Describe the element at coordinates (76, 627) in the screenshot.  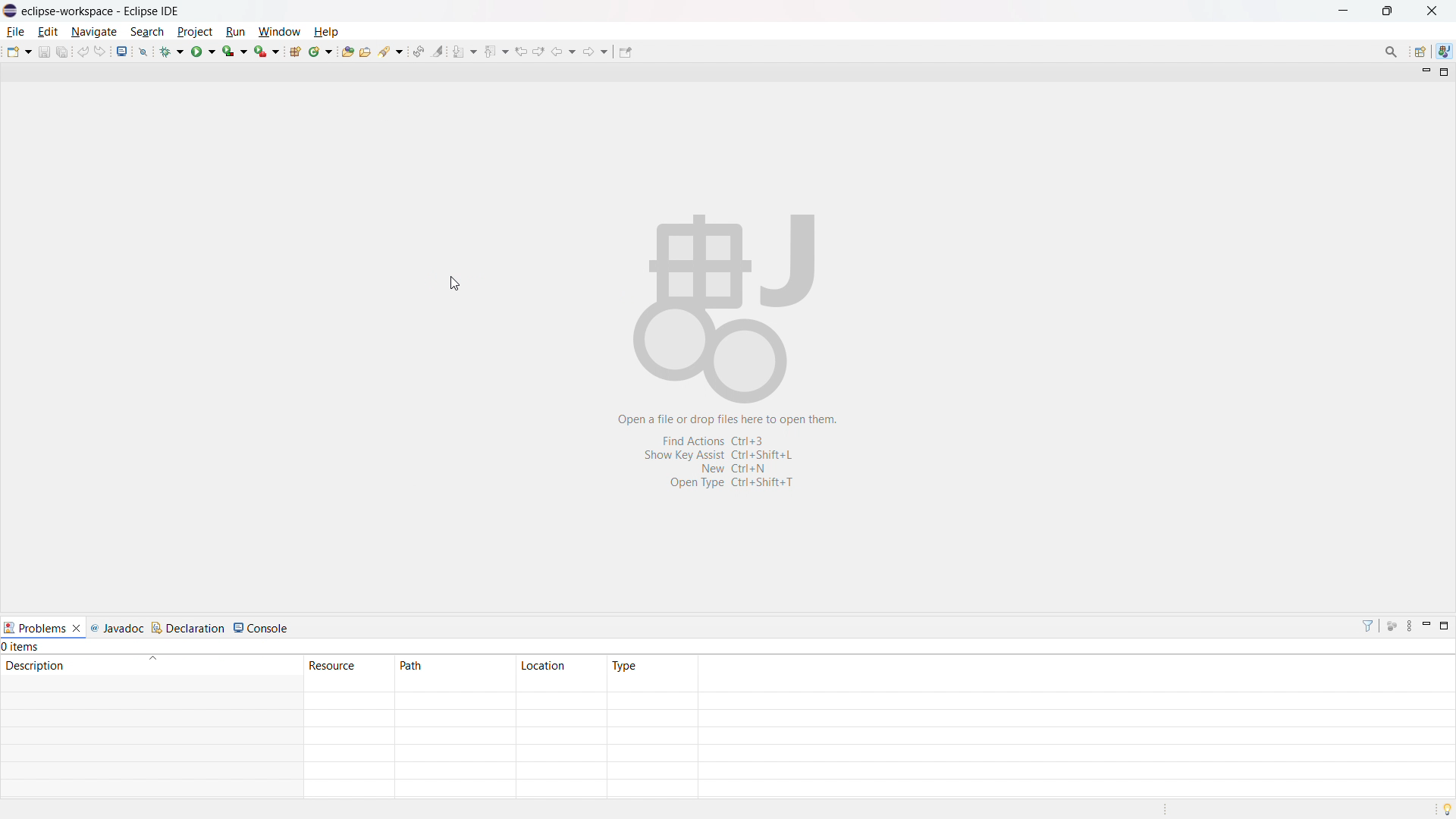
I see `close problems view` at that location.